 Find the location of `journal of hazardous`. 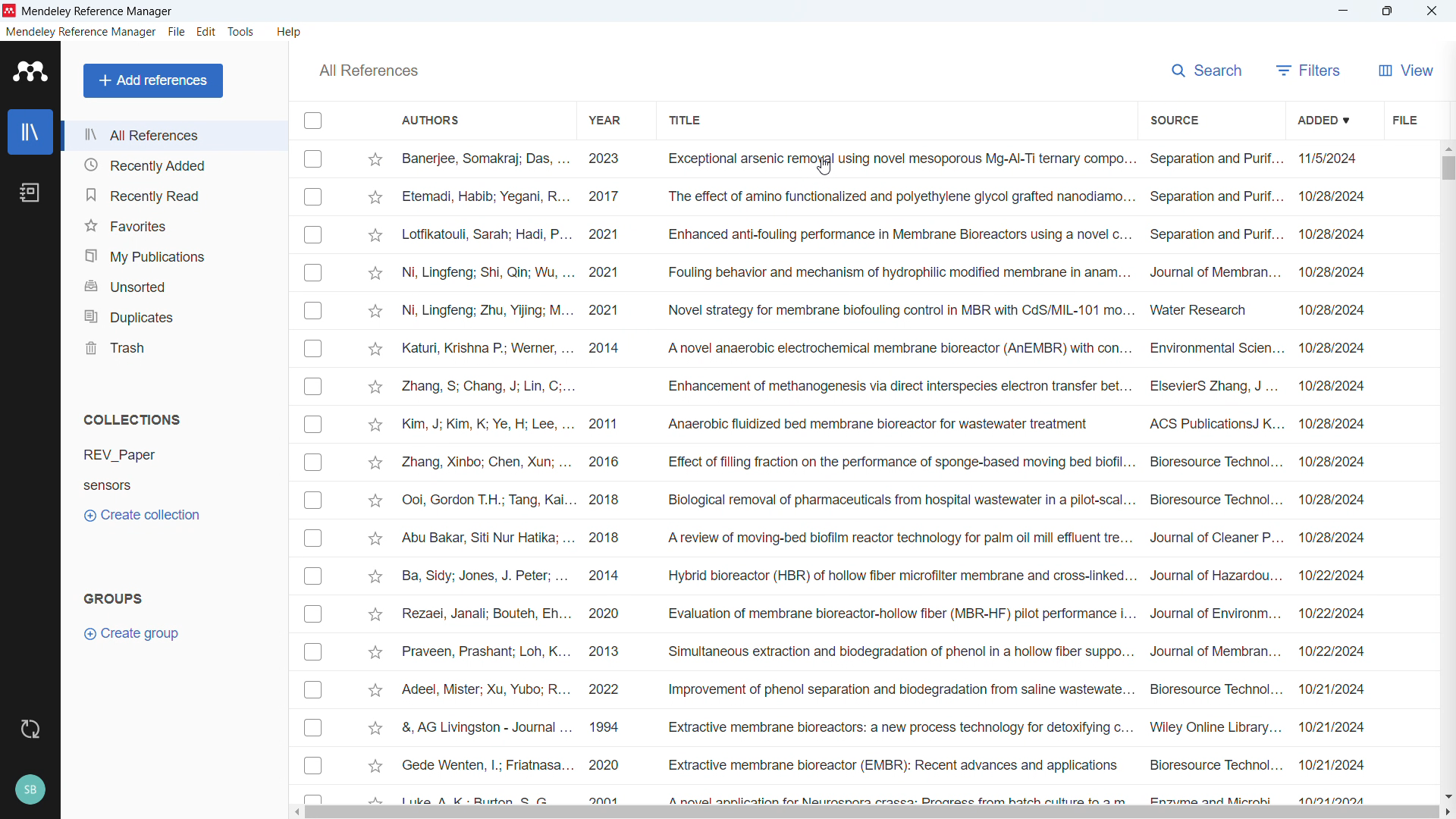

journal of hazardous is located at coordinates (1215, 575).